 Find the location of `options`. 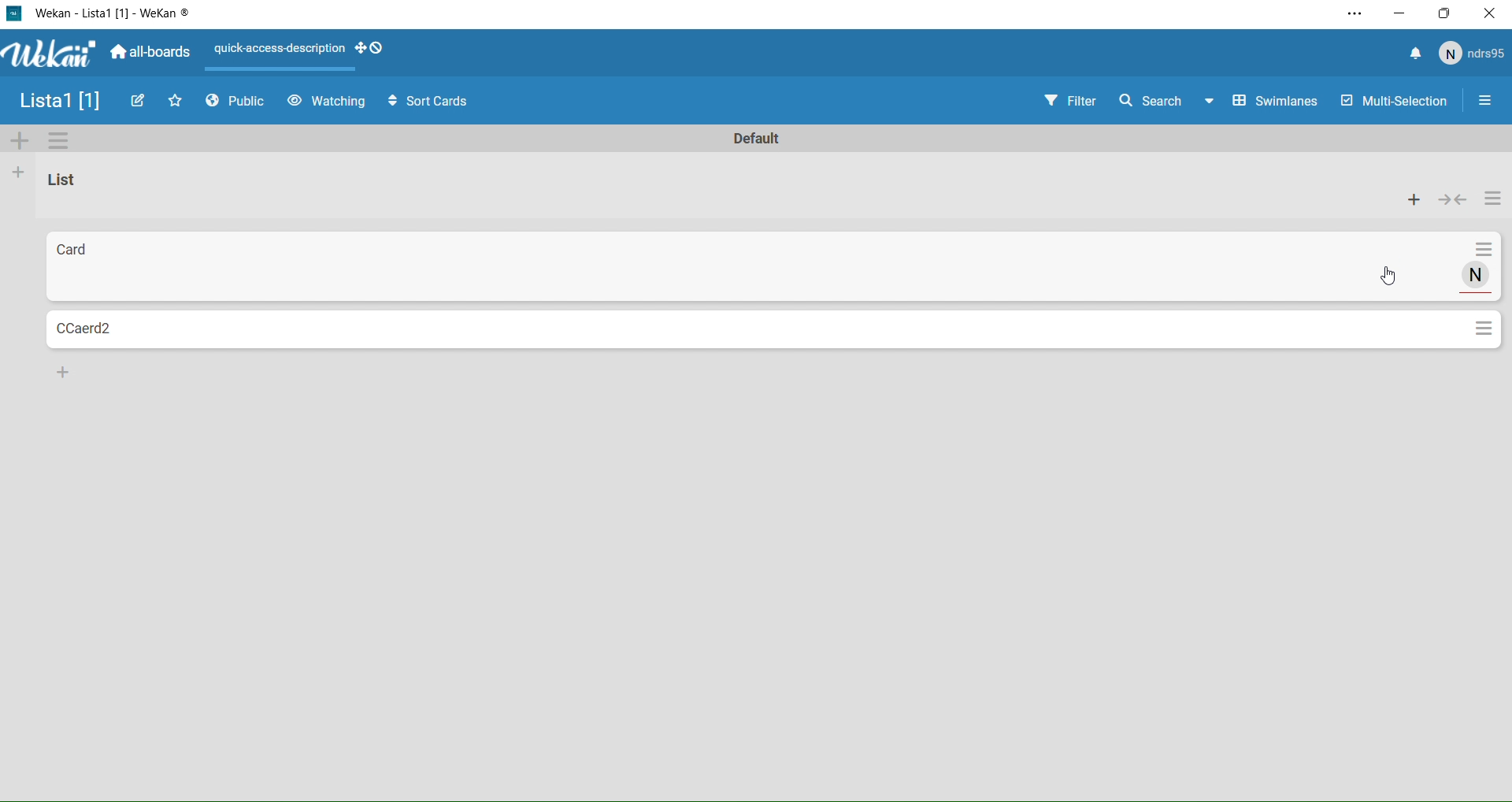

options is located at coordinates (59, 142).